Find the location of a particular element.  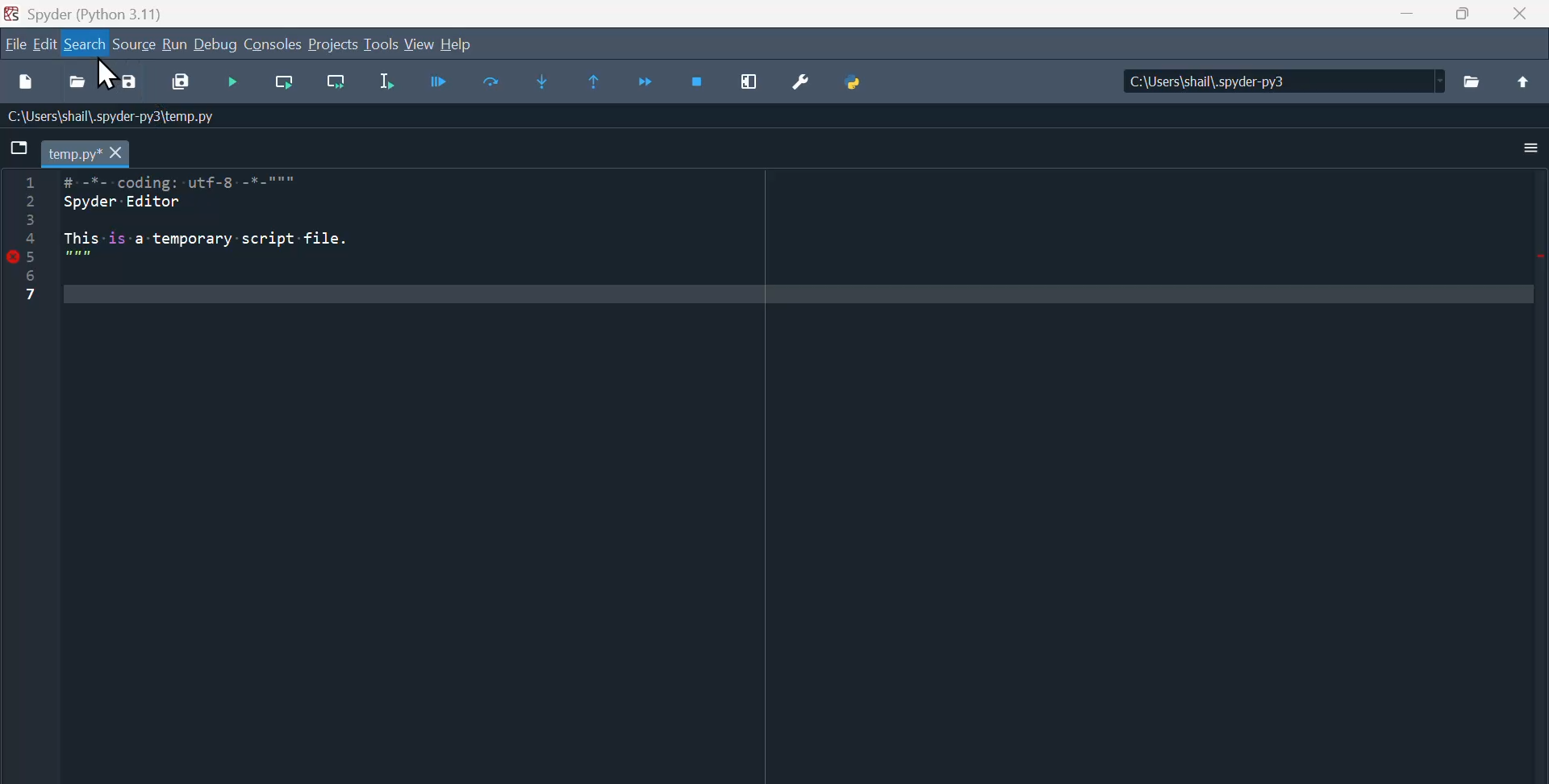

Source is located at coordinates (133, 47).